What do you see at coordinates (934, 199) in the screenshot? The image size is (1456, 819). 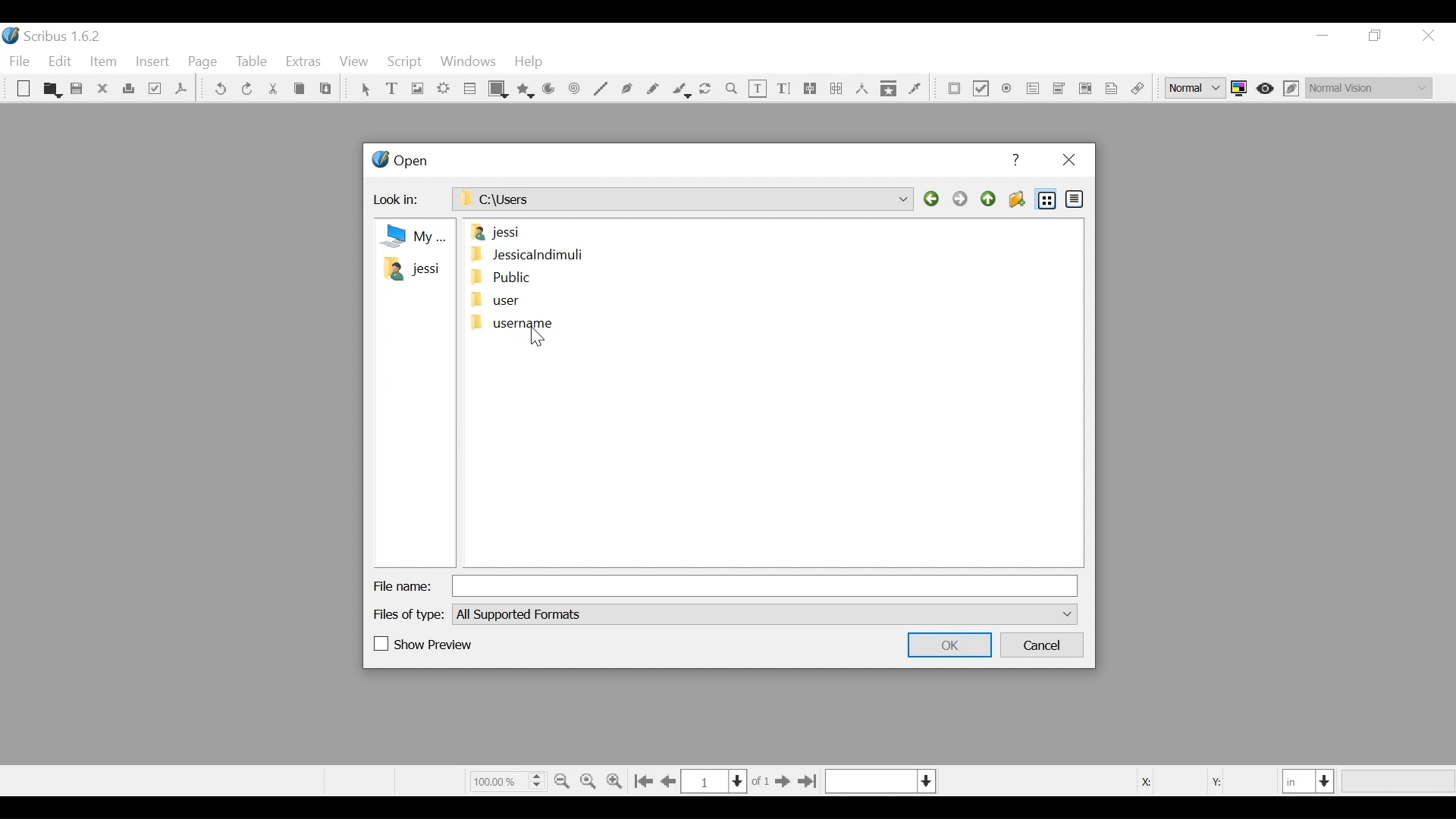 I see `Back` at bounding box center [934, 199].